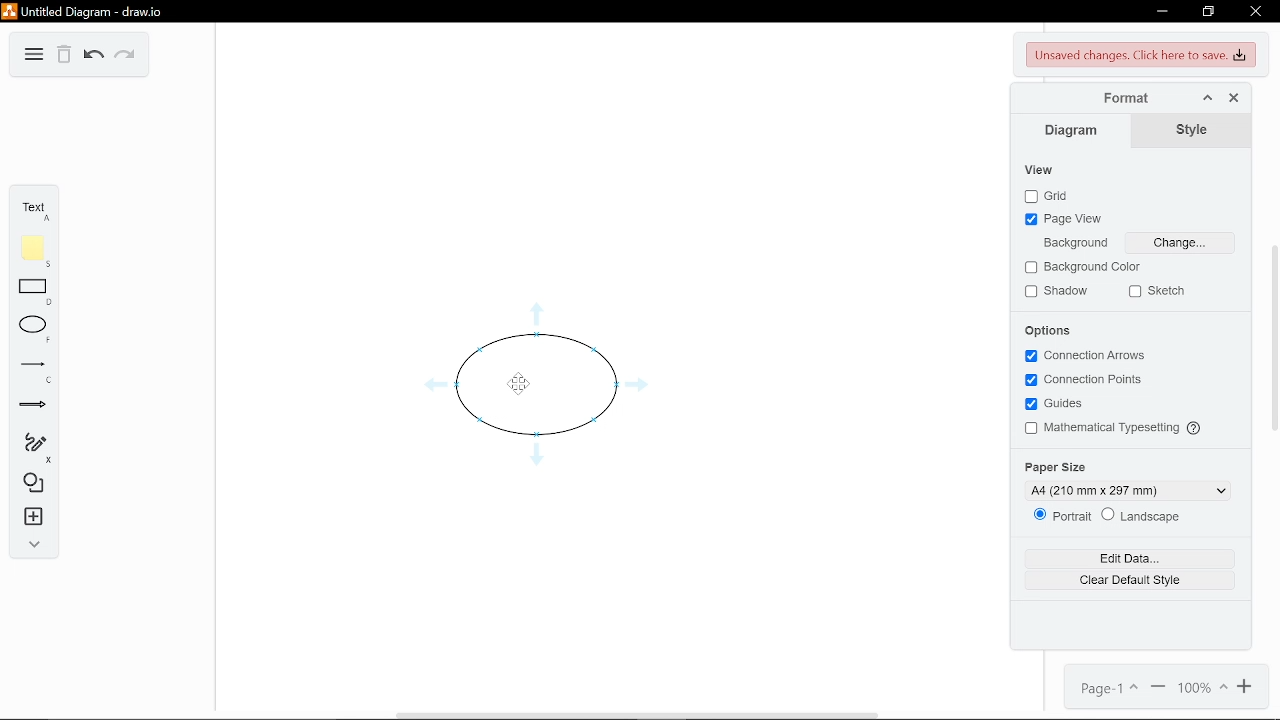 The width and height of the screenshot is (1280, 720). Describe the element at coordinates (1047, 196) in the screenshot. I see `Grid` at that location.